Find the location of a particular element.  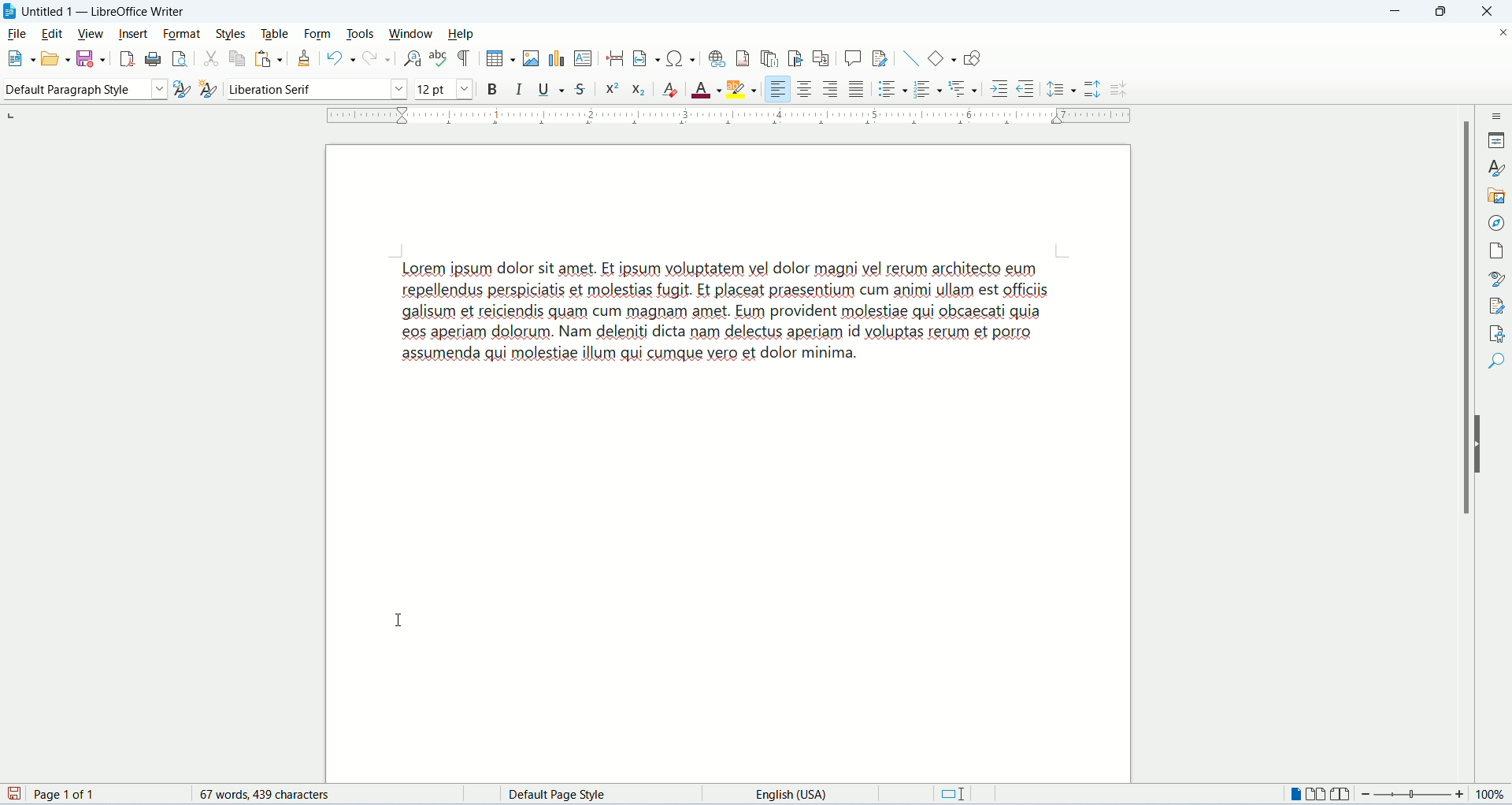

help is located at coordinates (463, 34).